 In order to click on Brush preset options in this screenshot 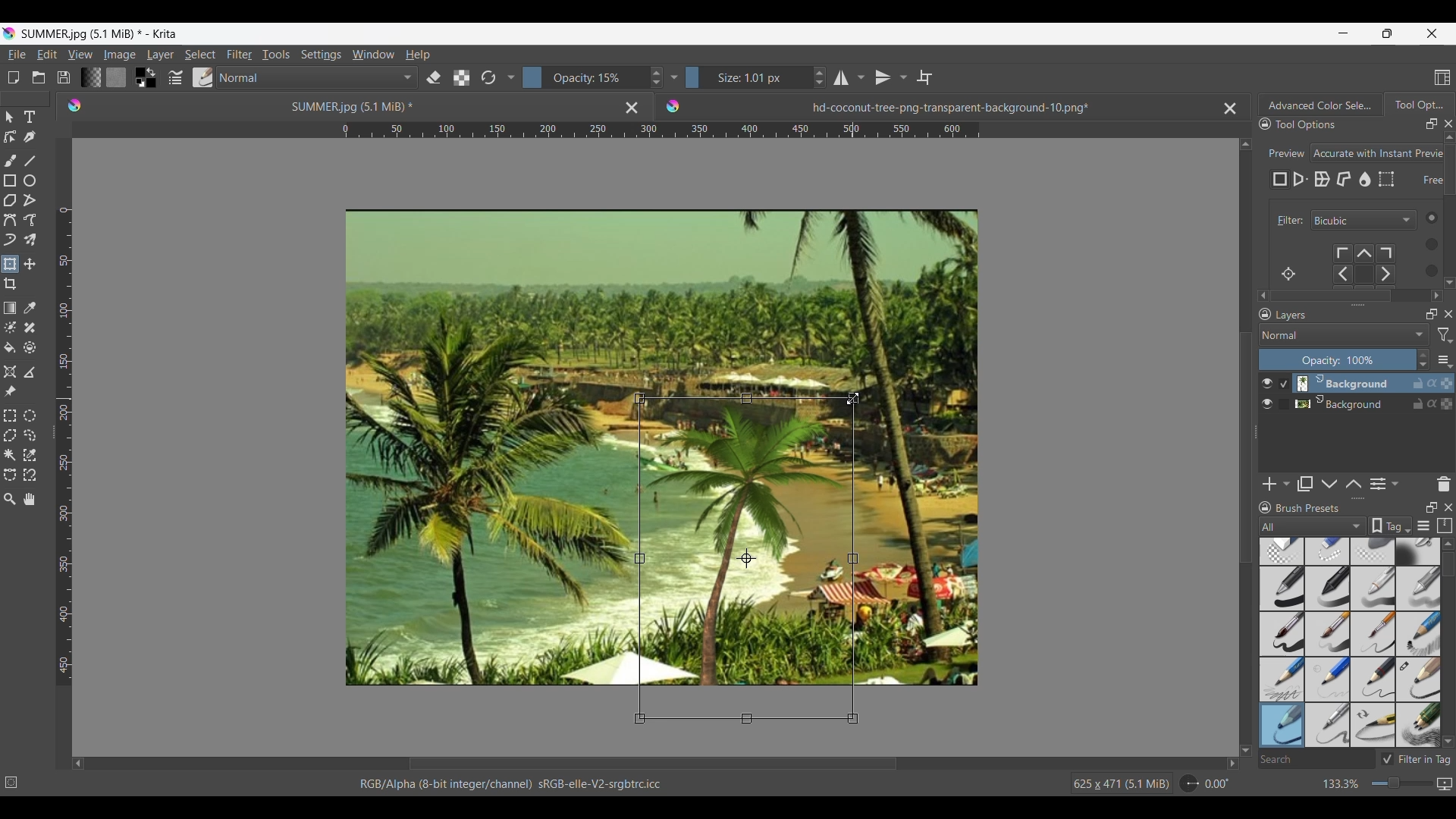, I will do `click(1264, 526)`.